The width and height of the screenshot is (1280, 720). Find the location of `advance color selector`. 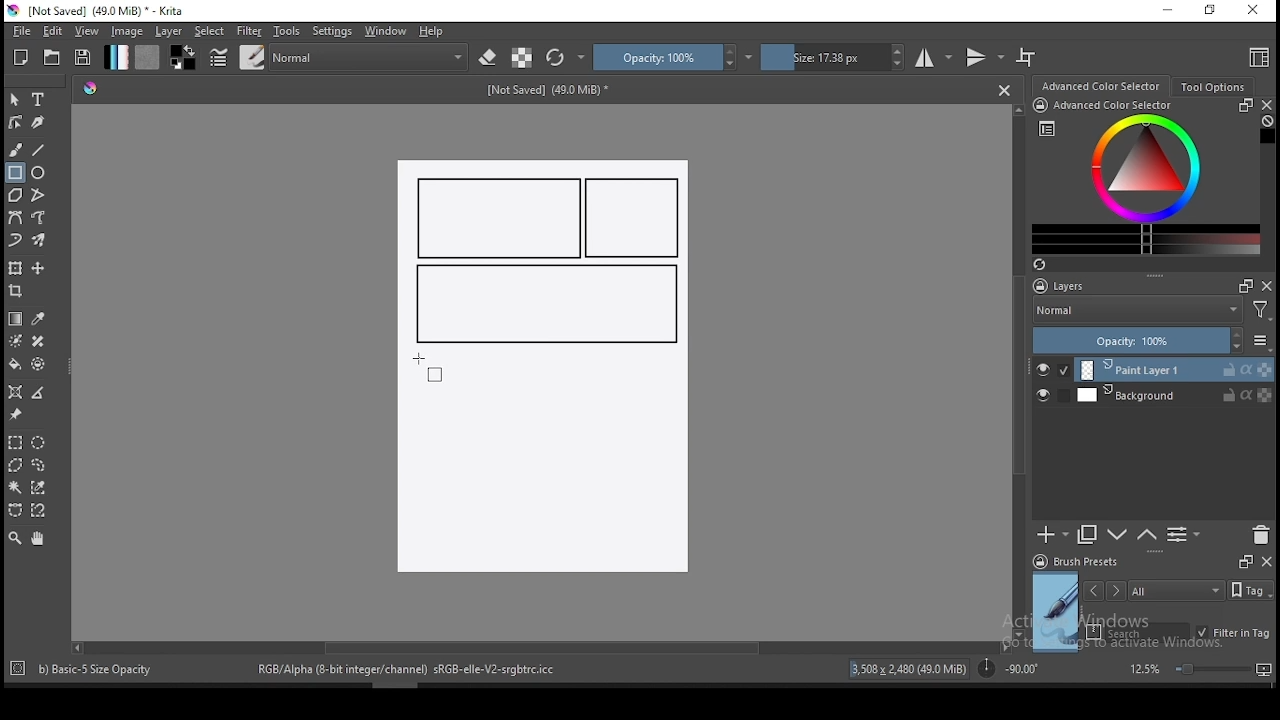

advance color selector is located at coordinates (1103, 85).